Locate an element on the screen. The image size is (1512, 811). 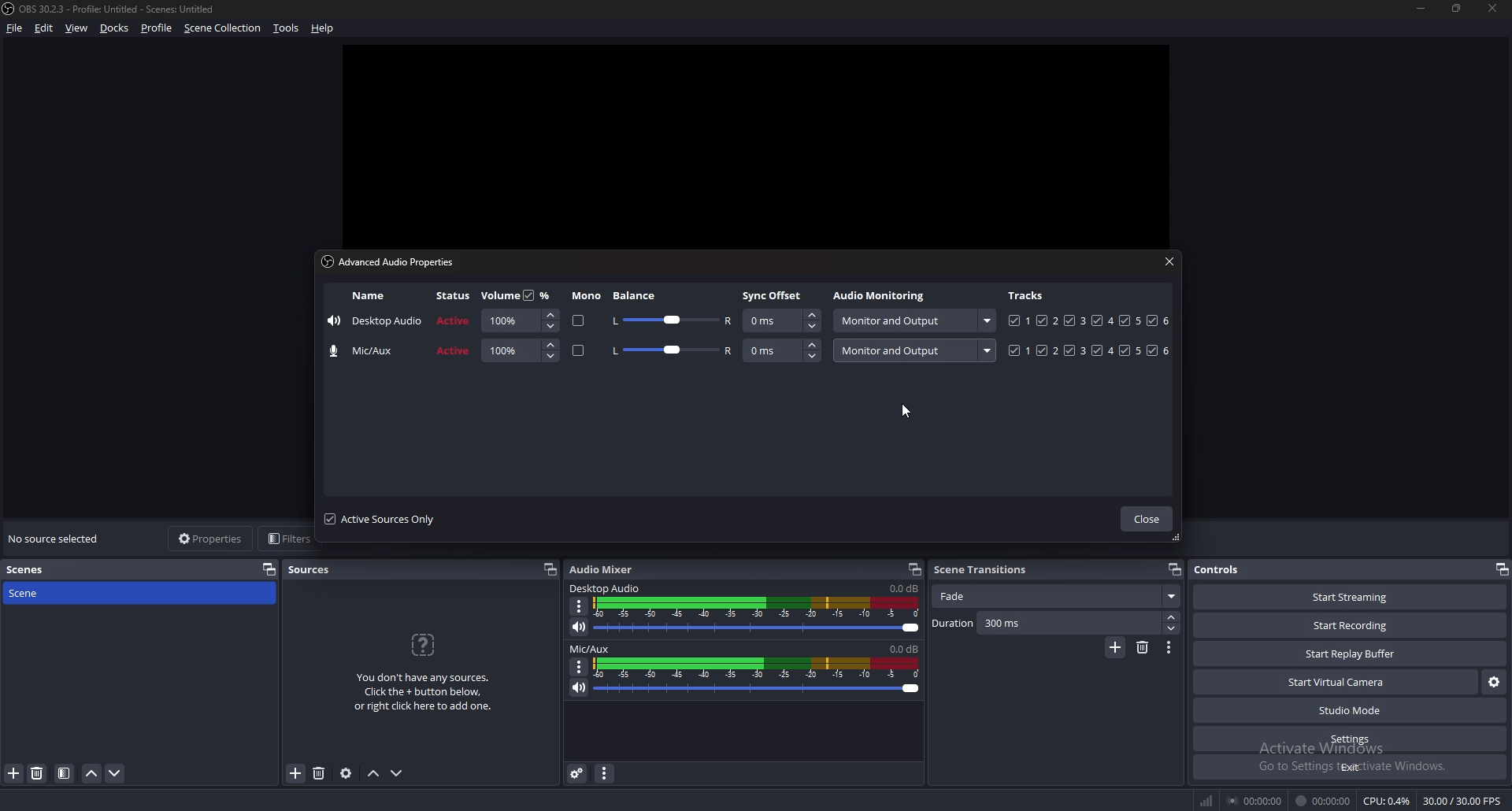
mute is located at coordinates (580, 628).